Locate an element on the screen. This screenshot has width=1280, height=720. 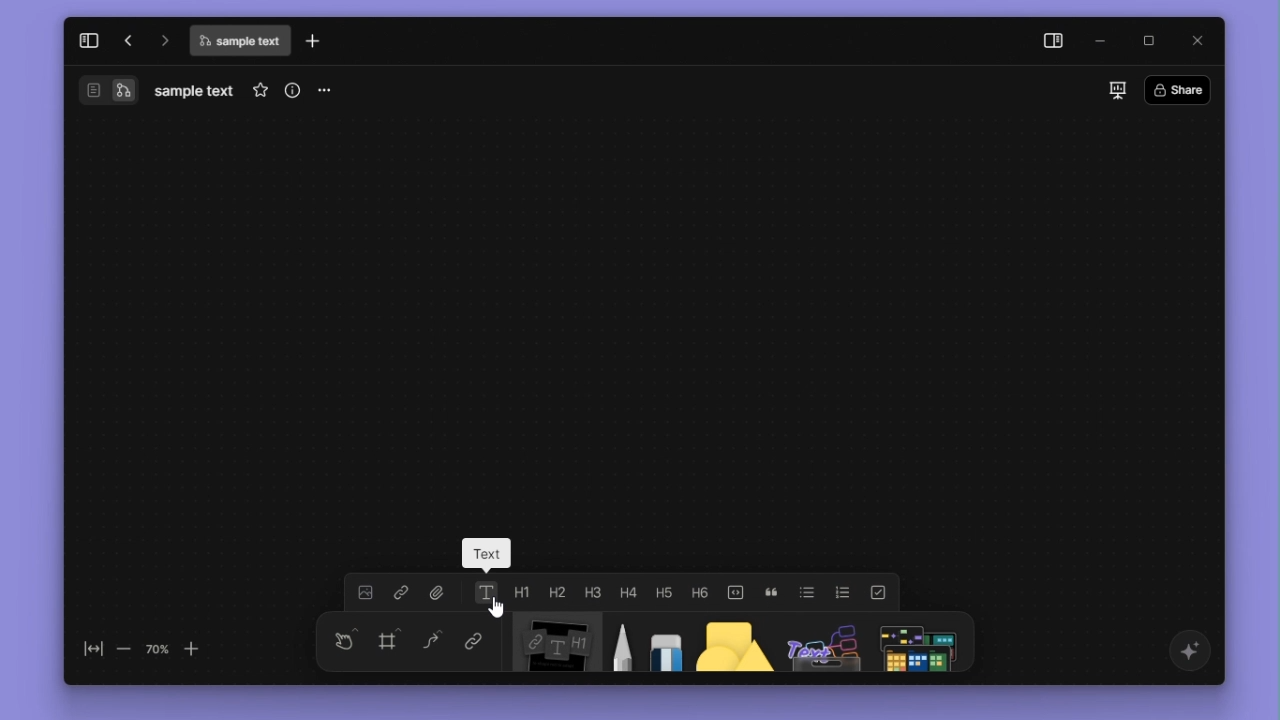
eraser is located at coordinates (662, 643).